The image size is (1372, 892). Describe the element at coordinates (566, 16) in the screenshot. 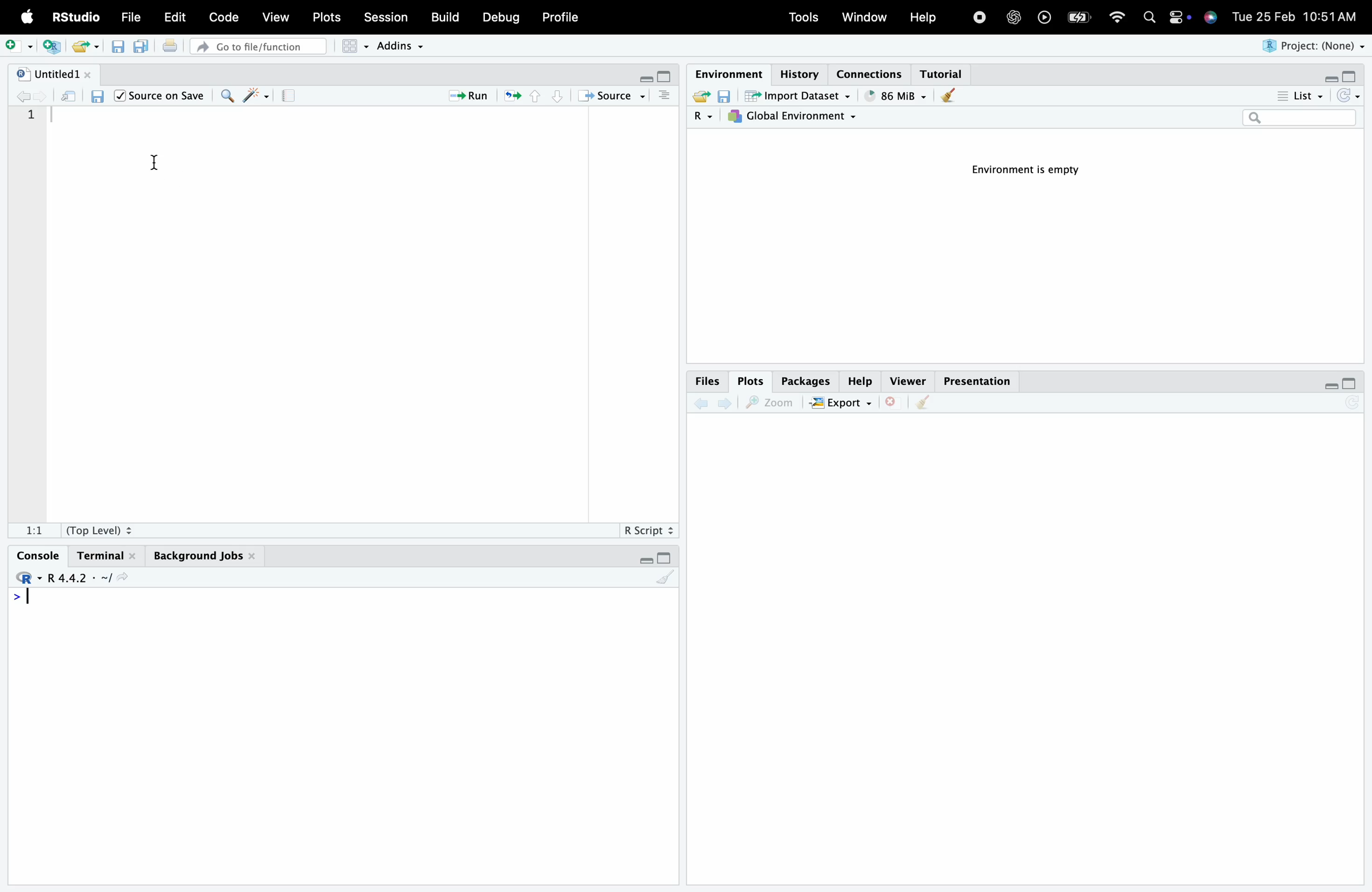

I see `Profile` at that location.